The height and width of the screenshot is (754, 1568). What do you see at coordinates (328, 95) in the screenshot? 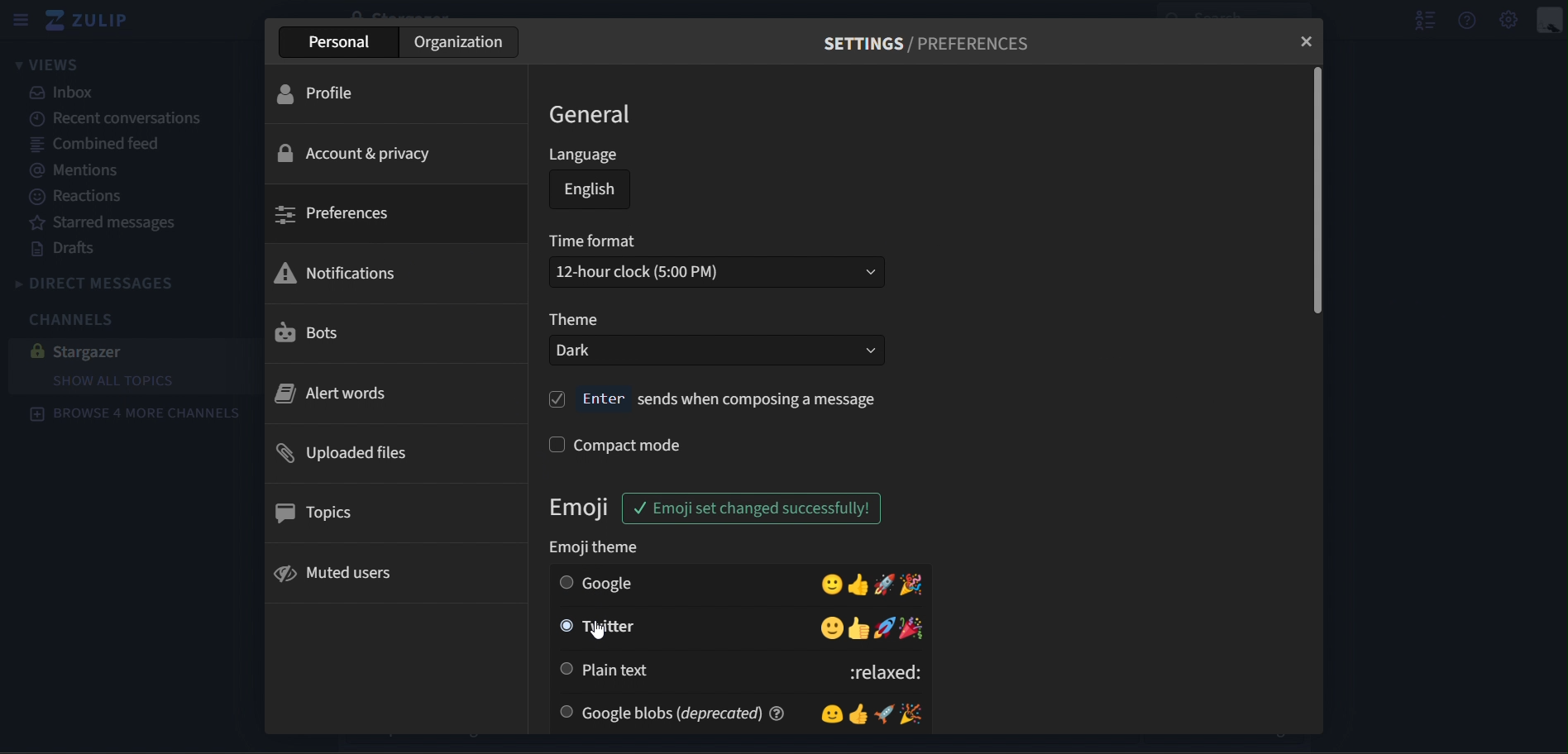
I see `profile` at bounding box center [328, 95].